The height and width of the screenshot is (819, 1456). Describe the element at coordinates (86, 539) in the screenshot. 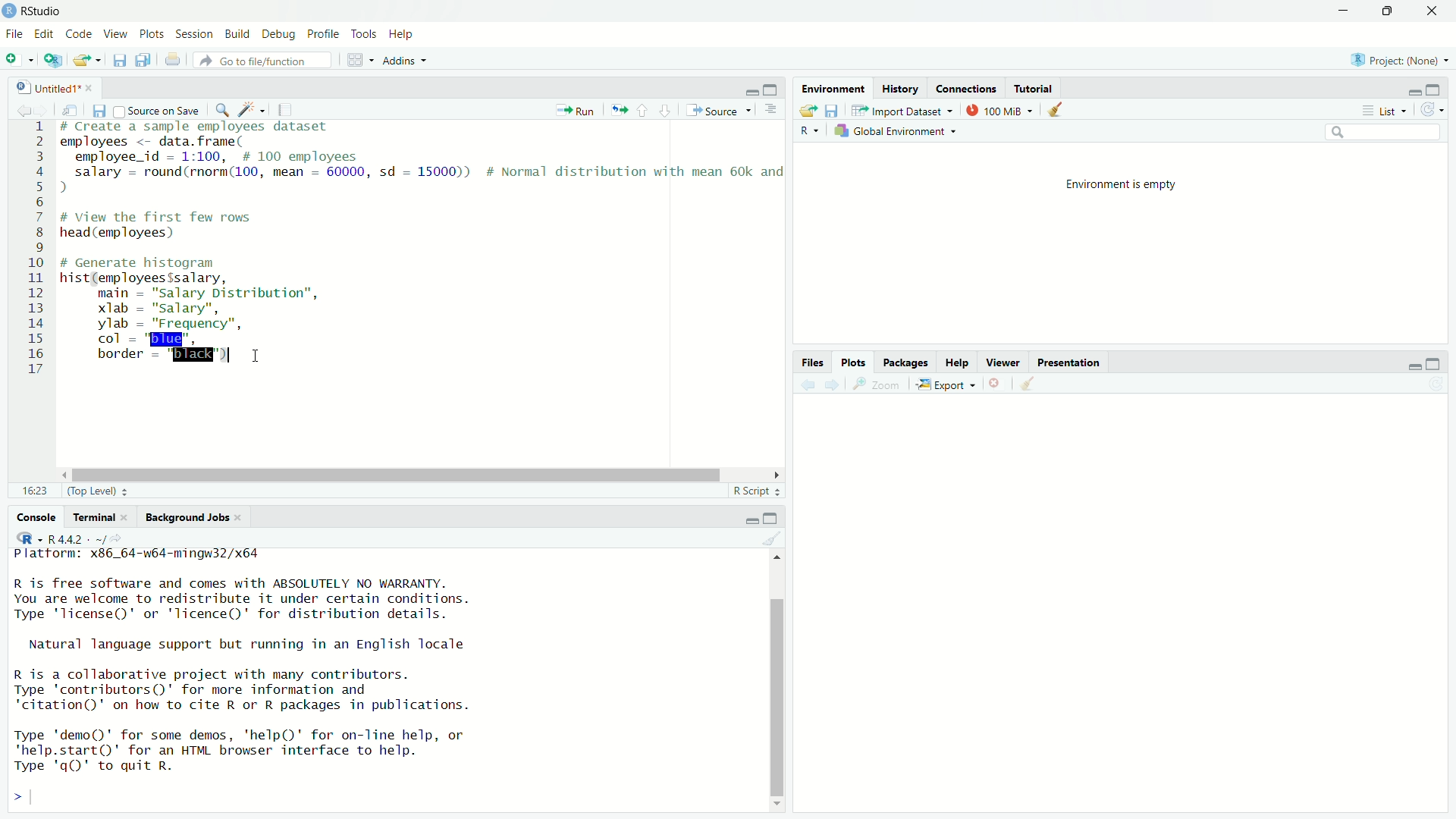

I see `R 4.4.2 - ~/` at that location.